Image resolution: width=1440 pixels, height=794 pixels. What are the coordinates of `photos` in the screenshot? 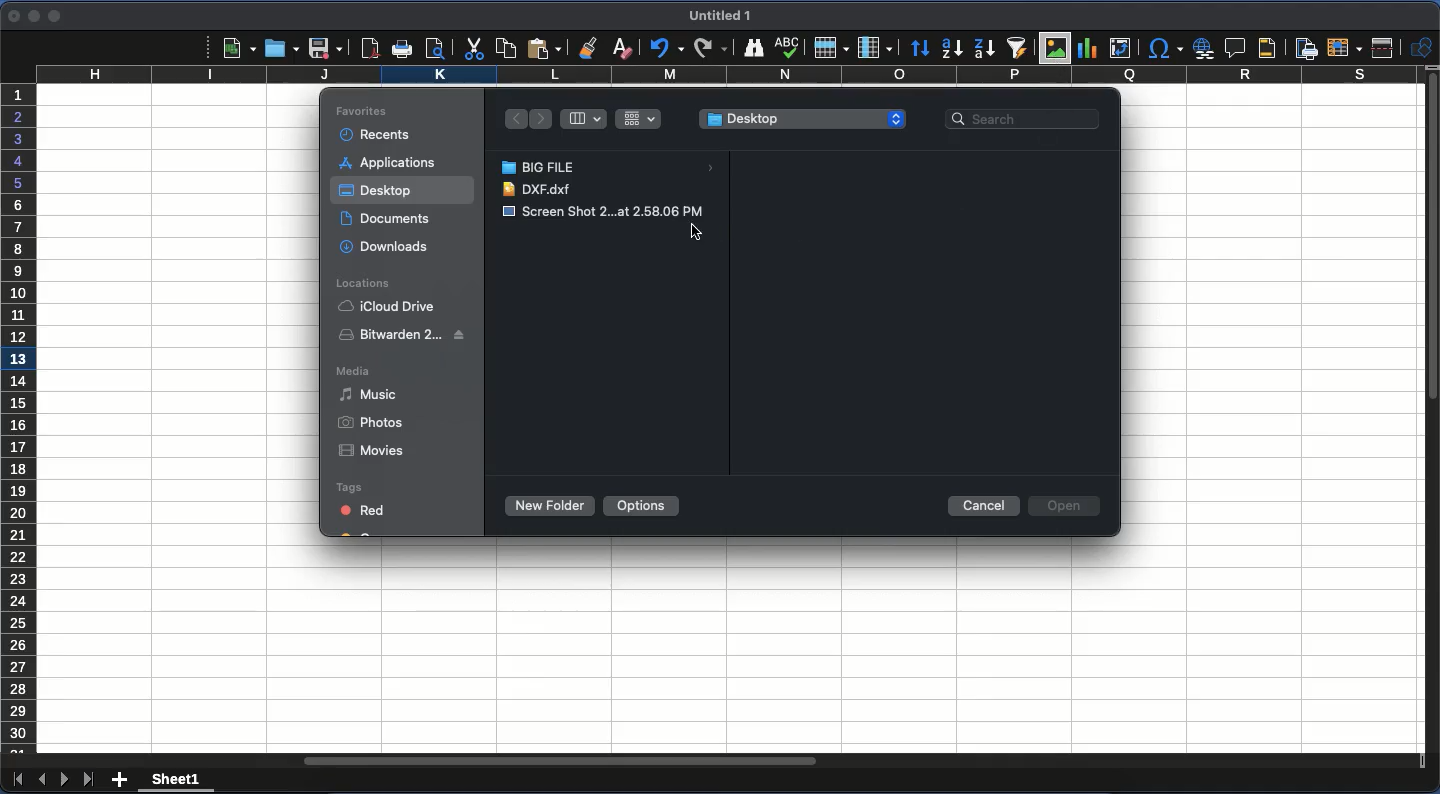 It's located at (372, 423).